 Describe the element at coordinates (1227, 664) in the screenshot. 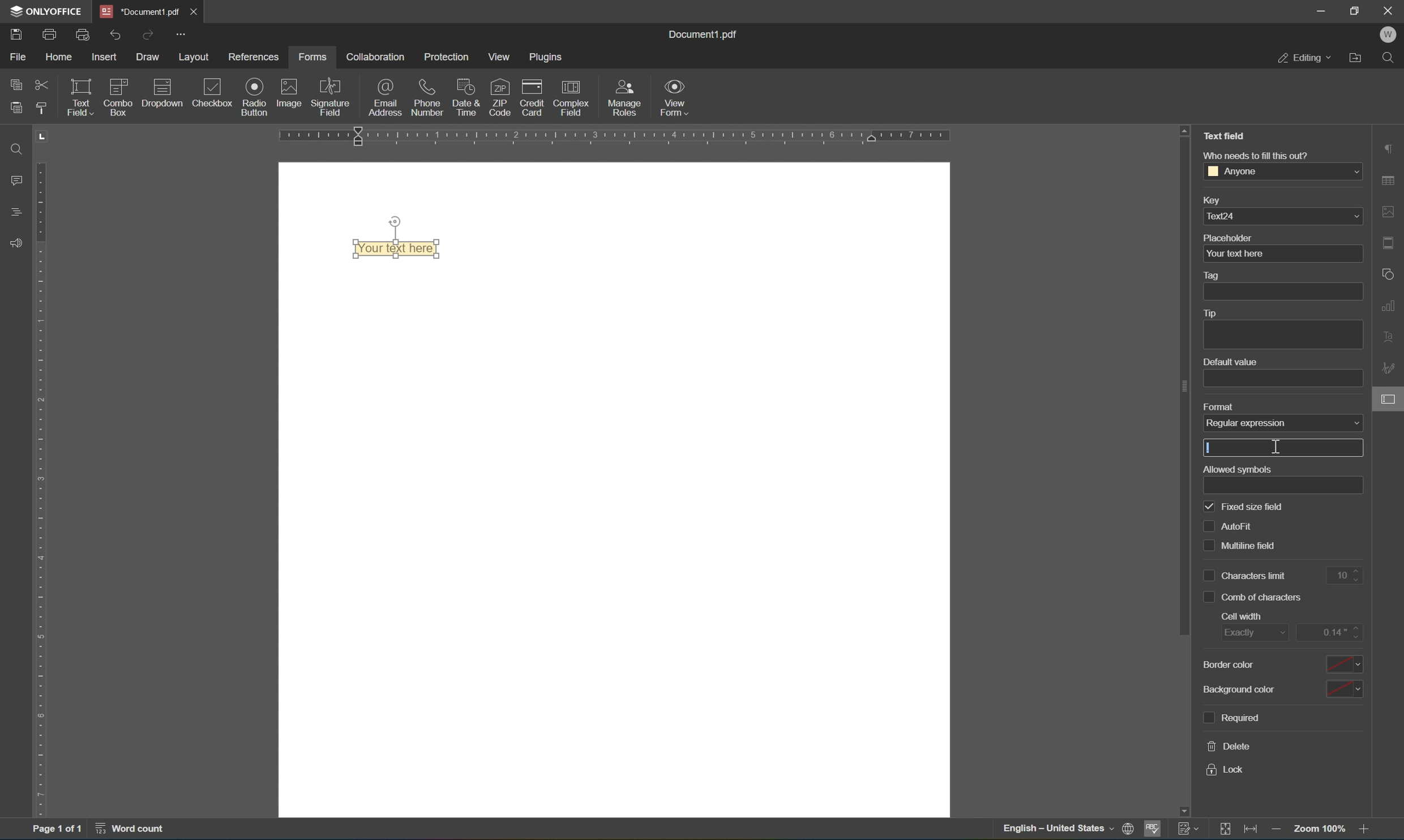

I see `border color` at that location.